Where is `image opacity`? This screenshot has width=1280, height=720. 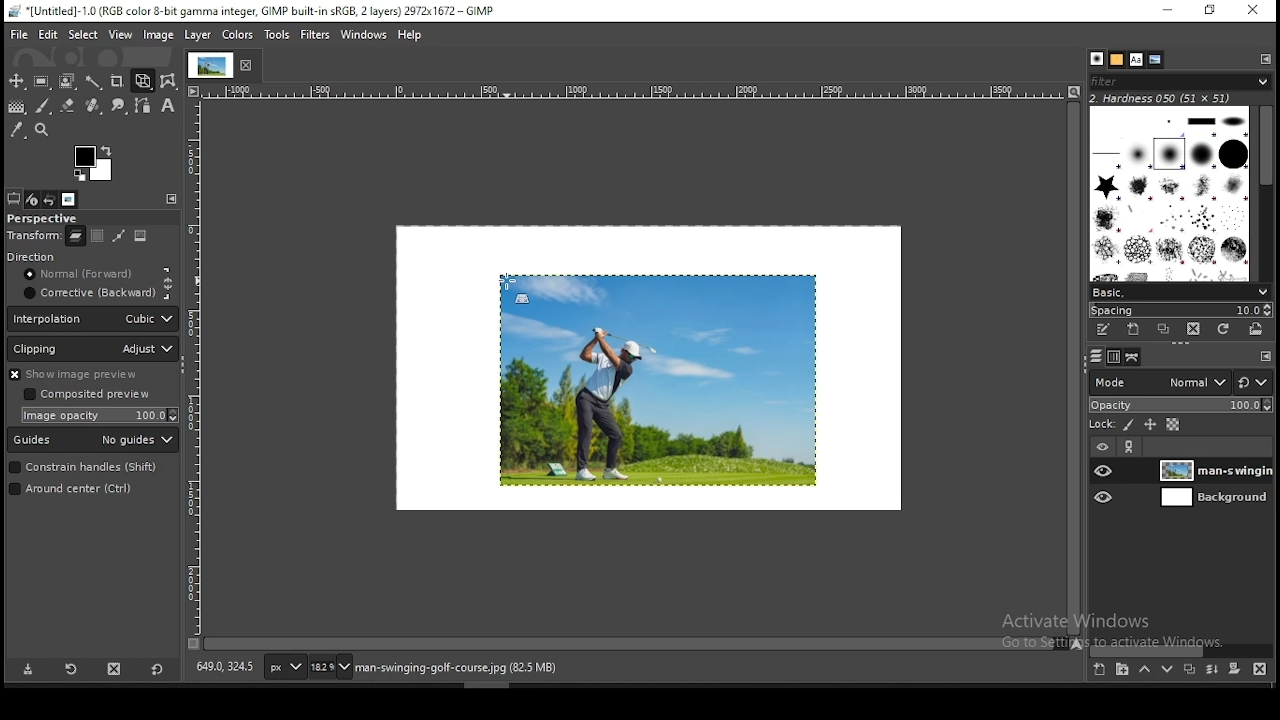 image opacity is located at coordinates (103, 415).